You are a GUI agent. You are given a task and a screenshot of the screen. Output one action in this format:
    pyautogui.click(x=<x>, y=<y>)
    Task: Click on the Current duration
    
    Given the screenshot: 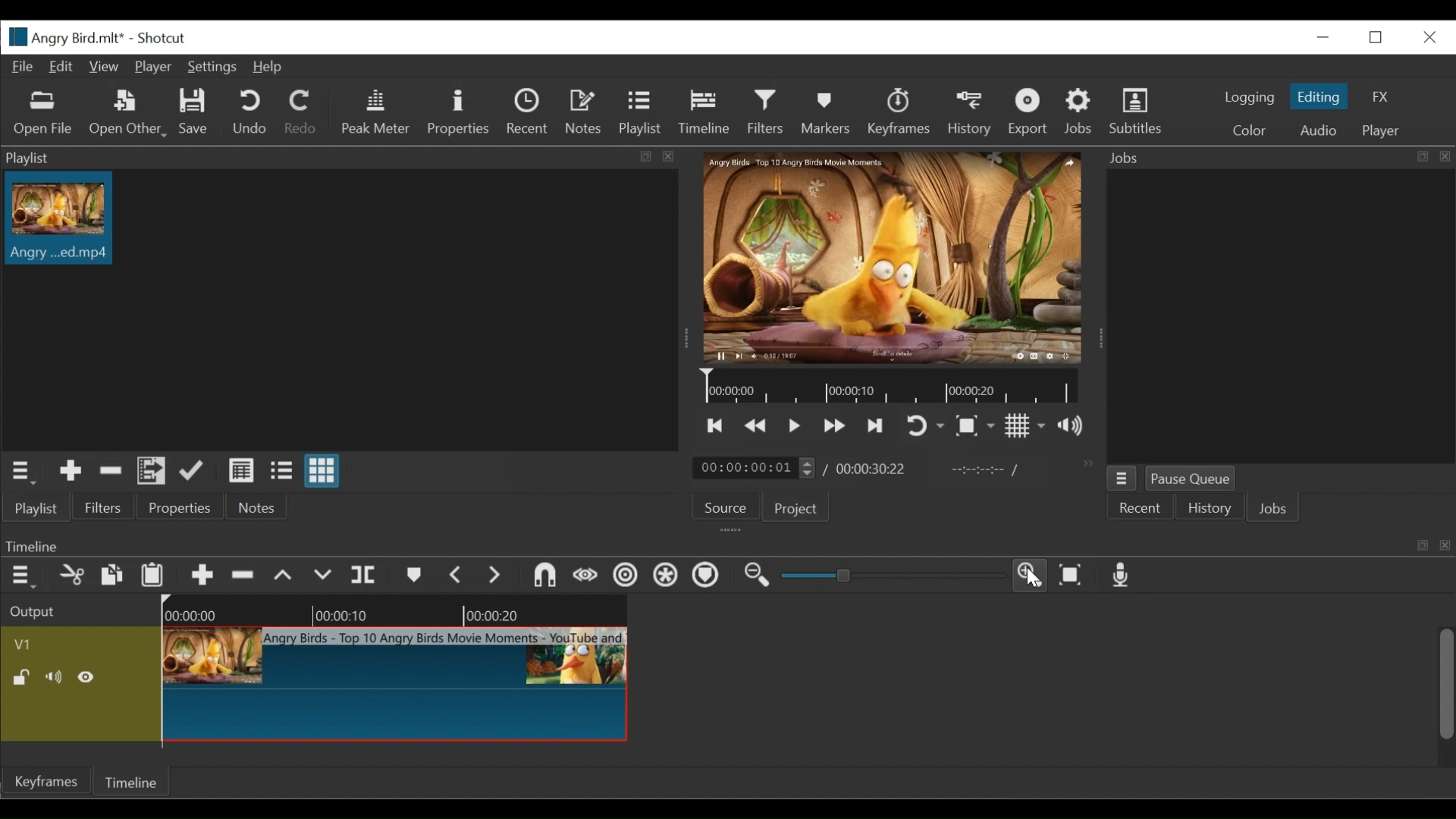 What is the action you would take?
    pyautogui.click(x=758, y=468)
    